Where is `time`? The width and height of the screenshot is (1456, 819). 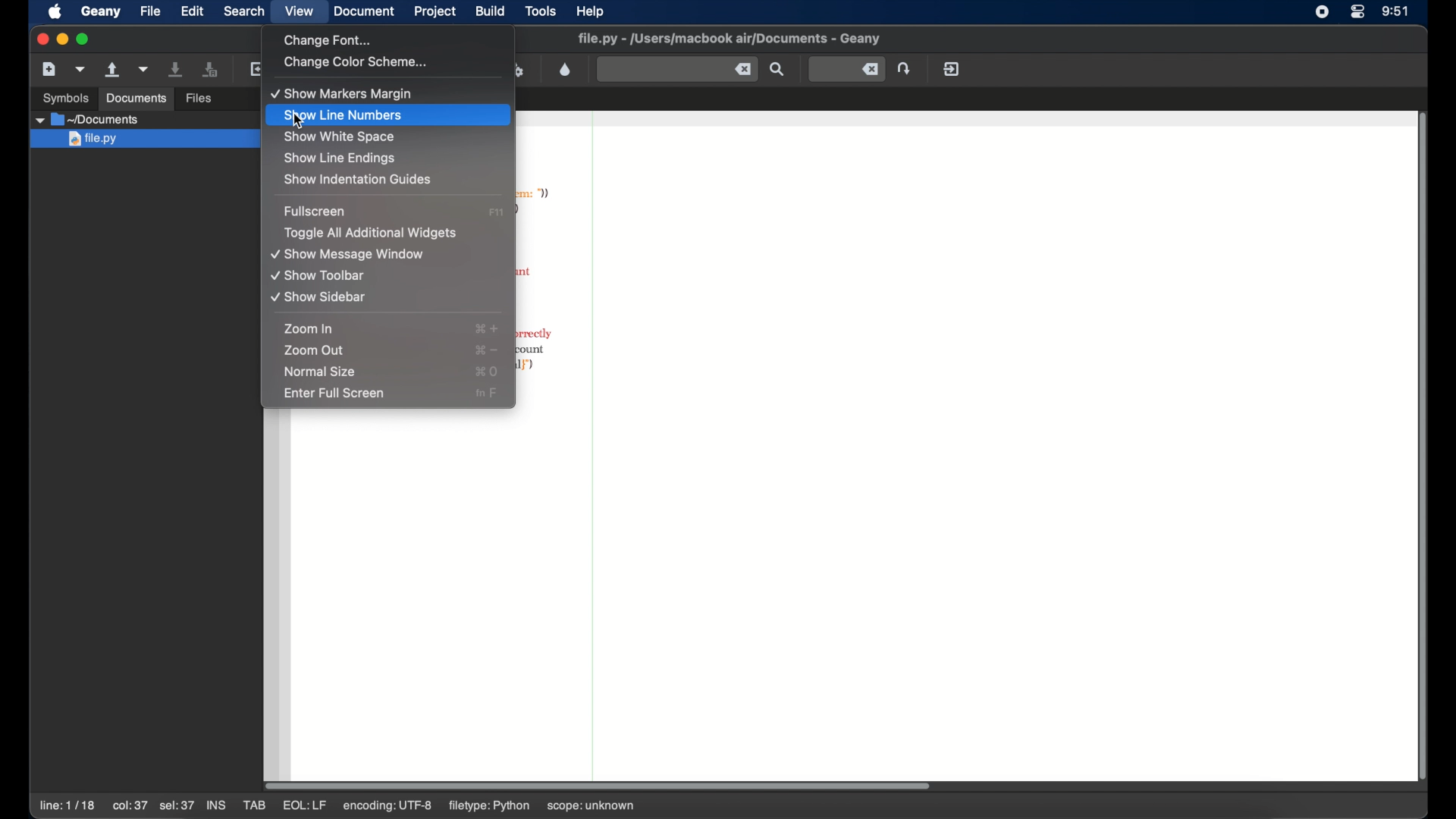
time is located at coordinates (1396, 11).